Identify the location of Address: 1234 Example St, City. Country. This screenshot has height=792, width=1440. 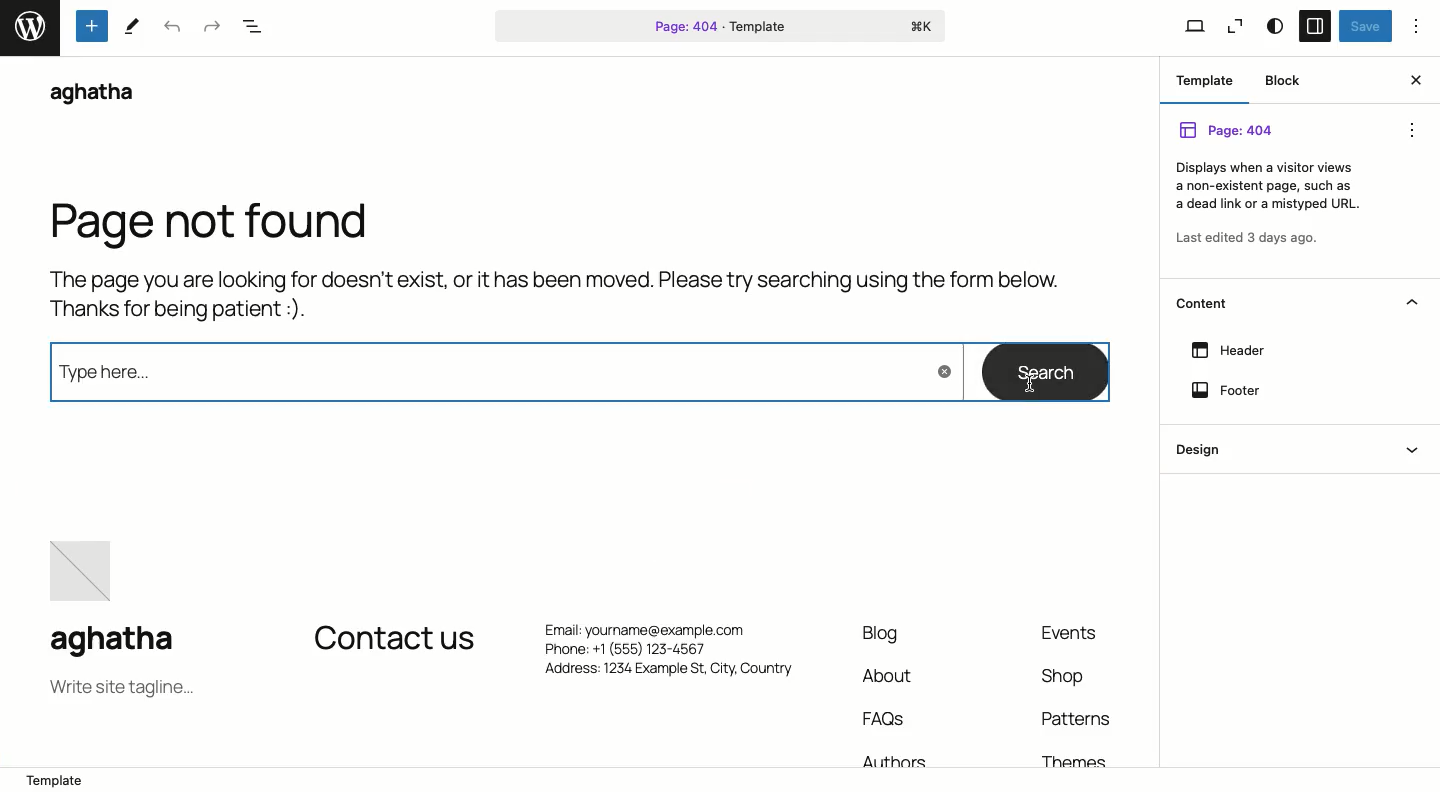
(667, 674).